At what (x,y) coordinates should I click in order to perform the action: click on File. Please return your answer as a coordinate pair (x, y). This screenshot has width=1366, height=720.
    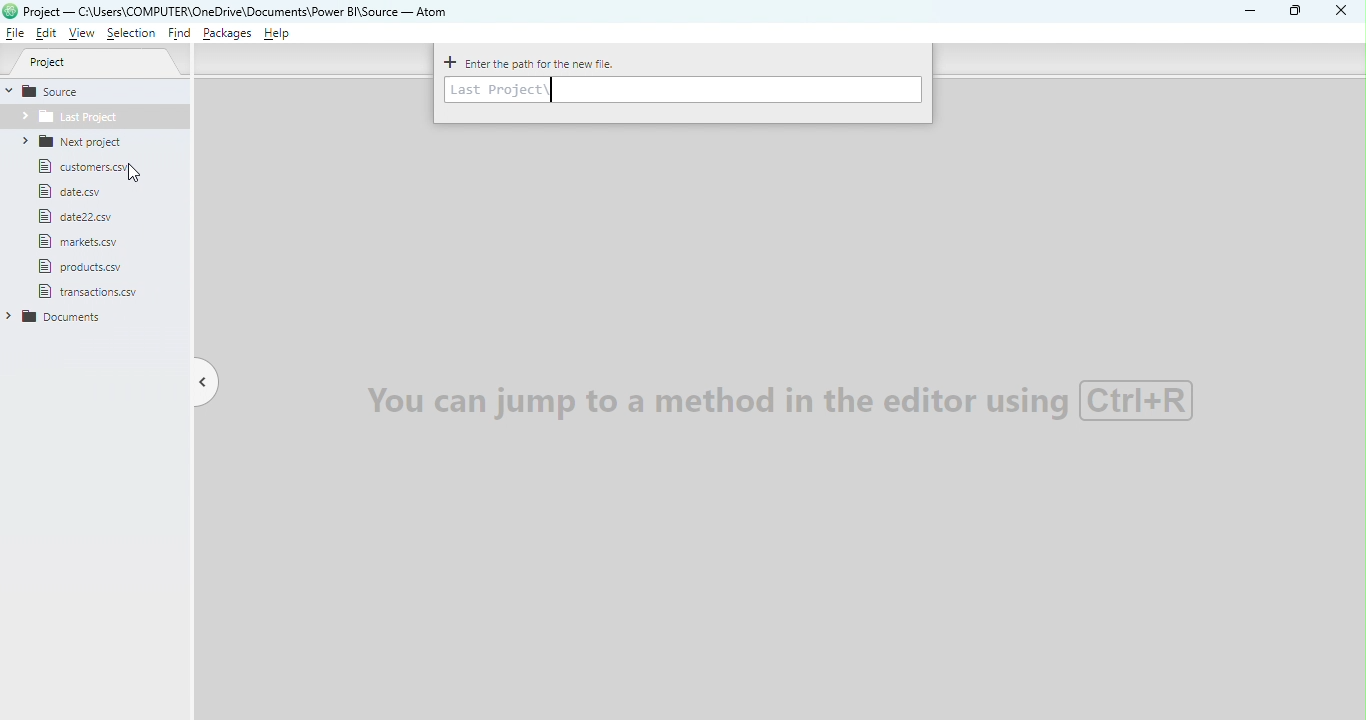
    Looking at the image, I should click on (91, 168).